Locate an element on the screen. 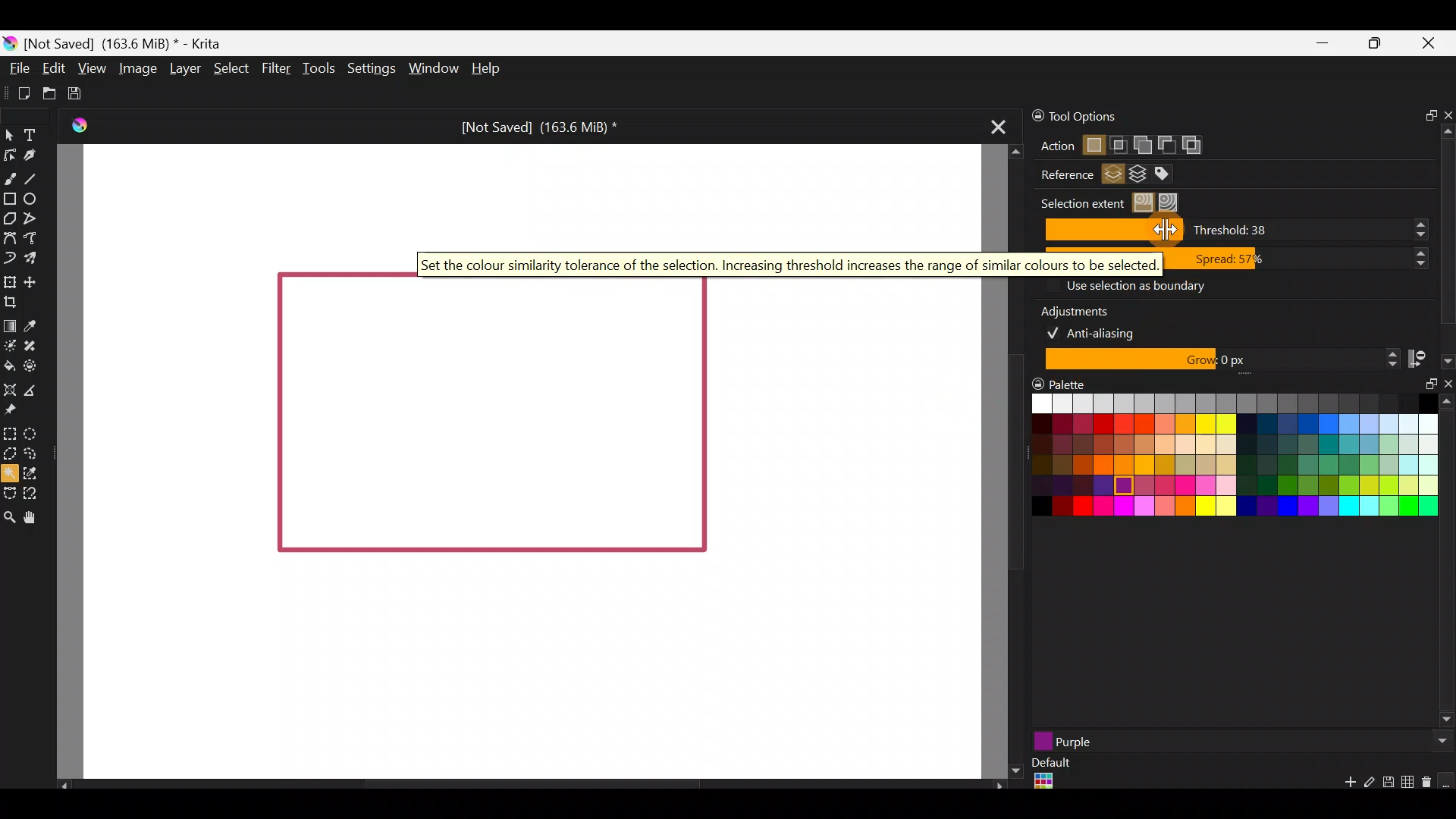 Image resolution: width=1456 pixels, height=819 pixels. Filter is located at coordinates (274, 68).